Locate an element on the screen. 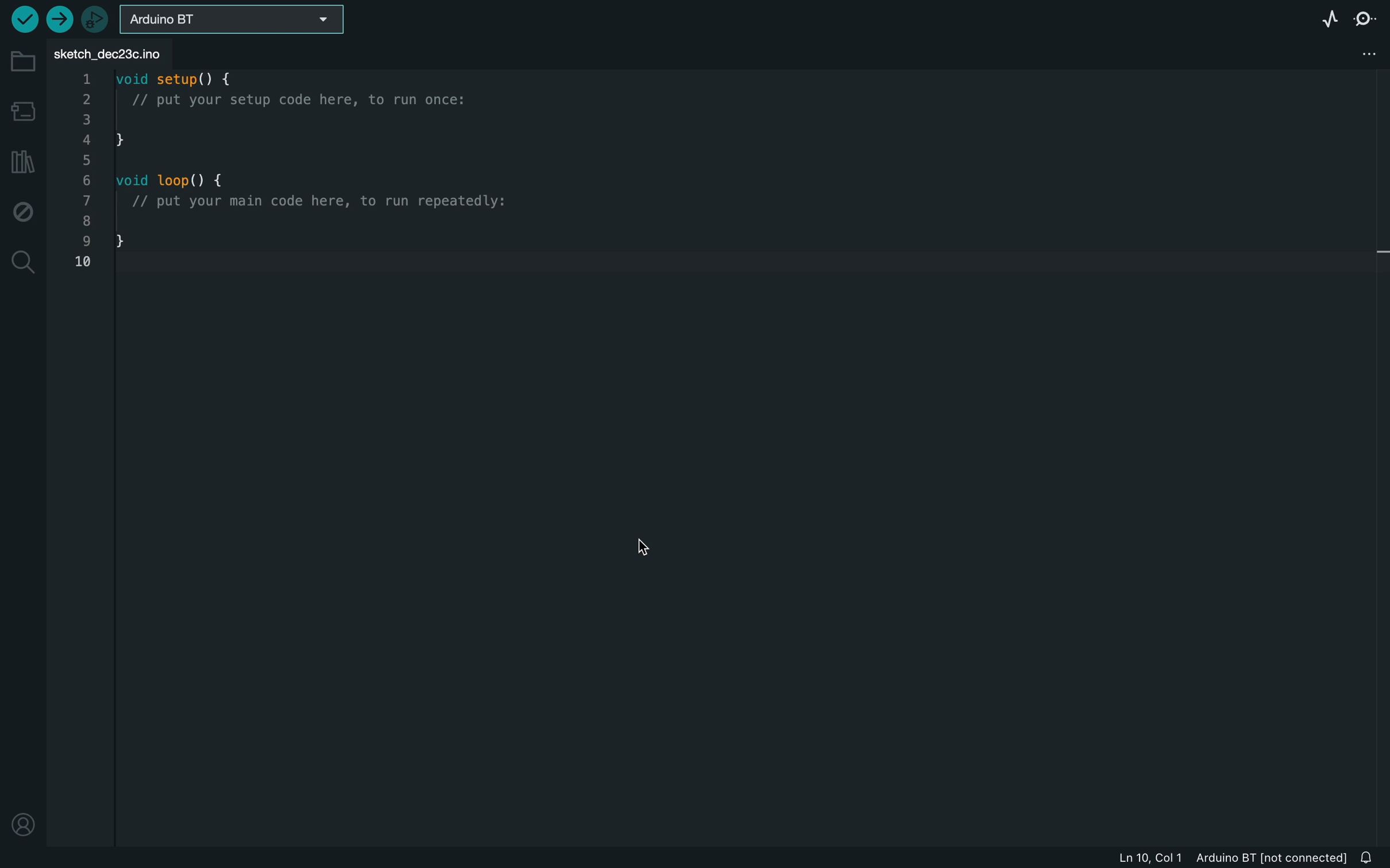  serial plotter is located at coordinates (1323, 18).